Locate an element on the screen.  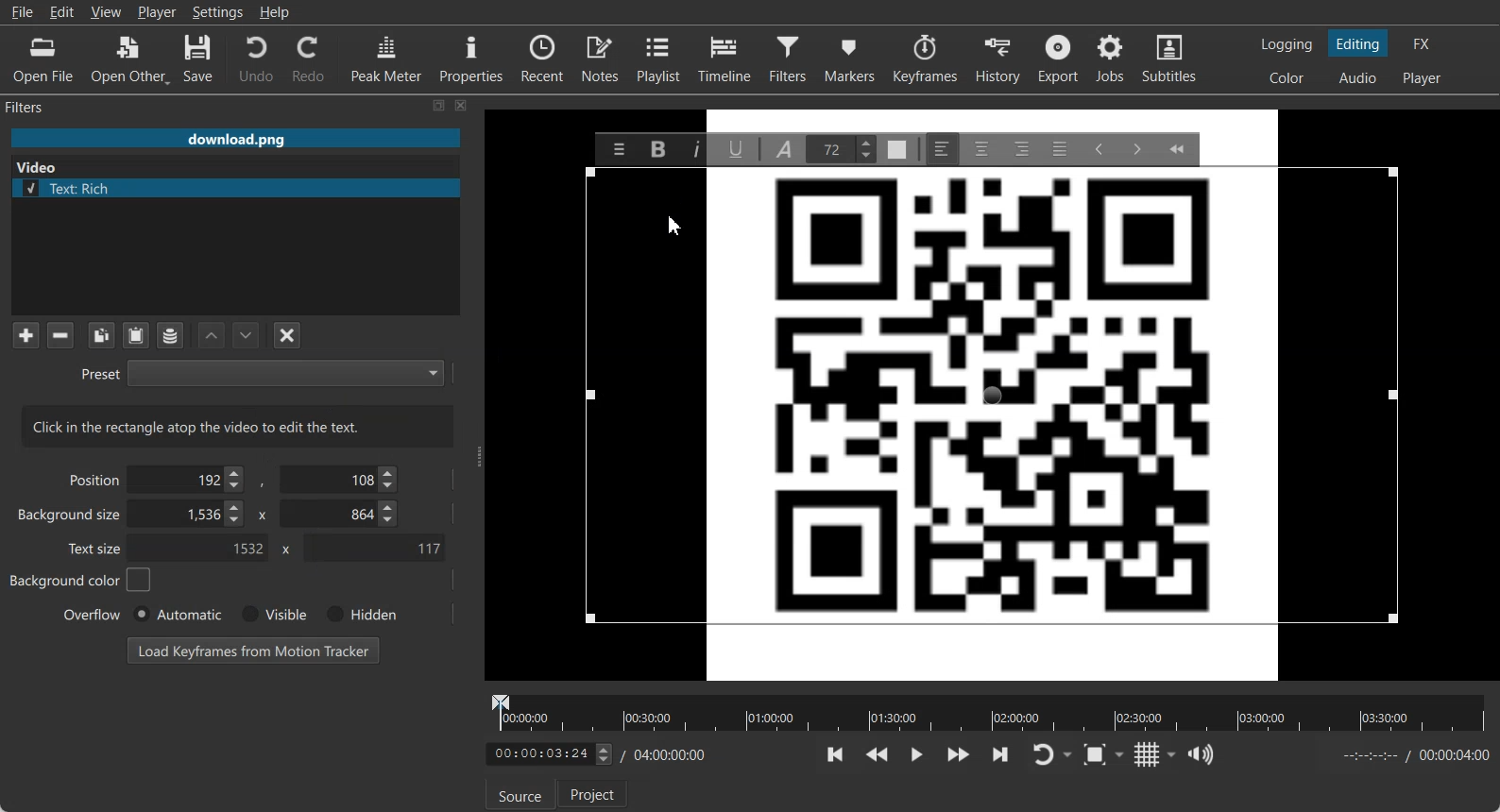
File is located at coordinates (235, 140).